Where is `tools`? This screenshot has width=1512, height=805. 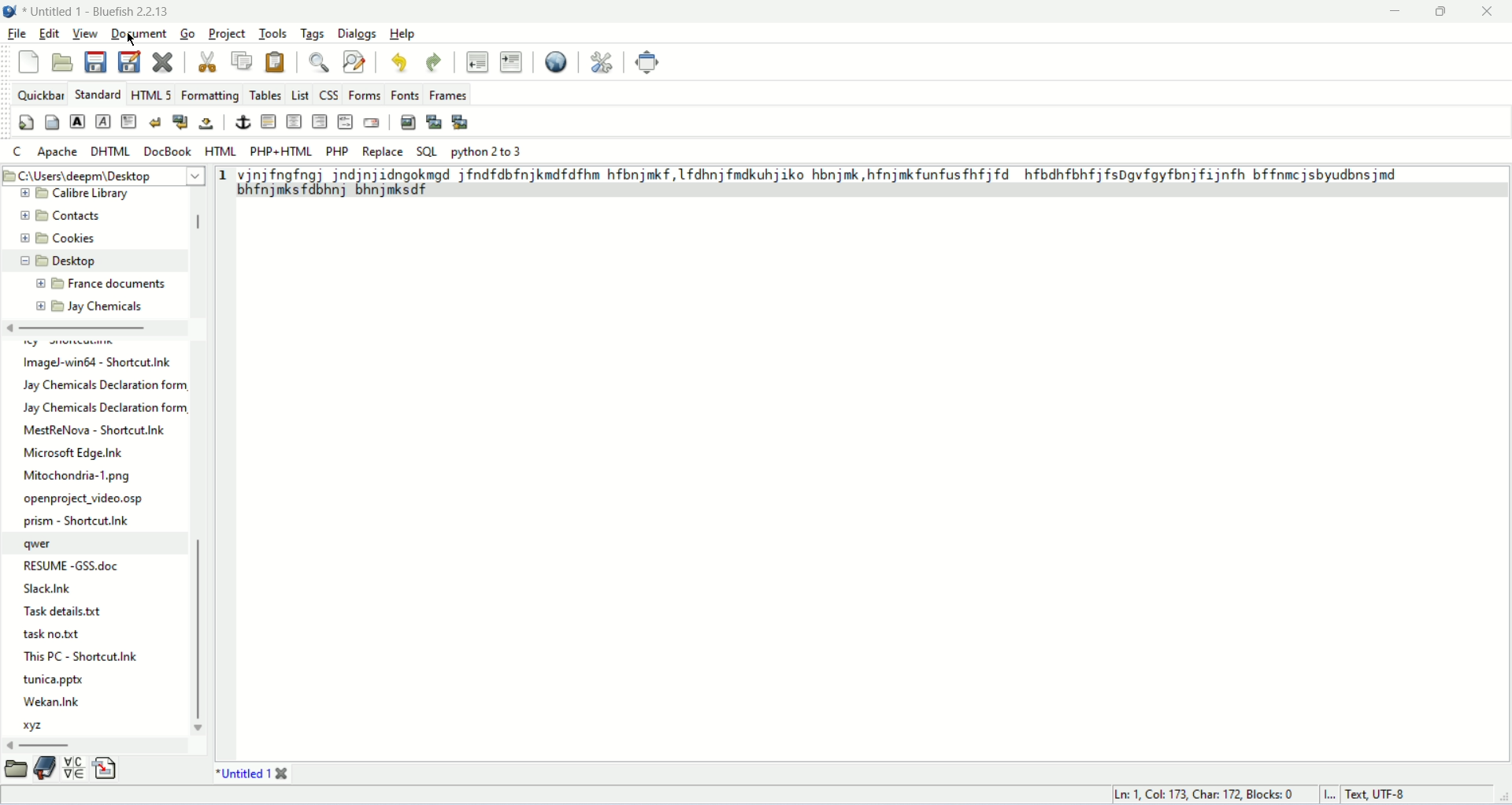
tools is located at coordinates (277, 34).